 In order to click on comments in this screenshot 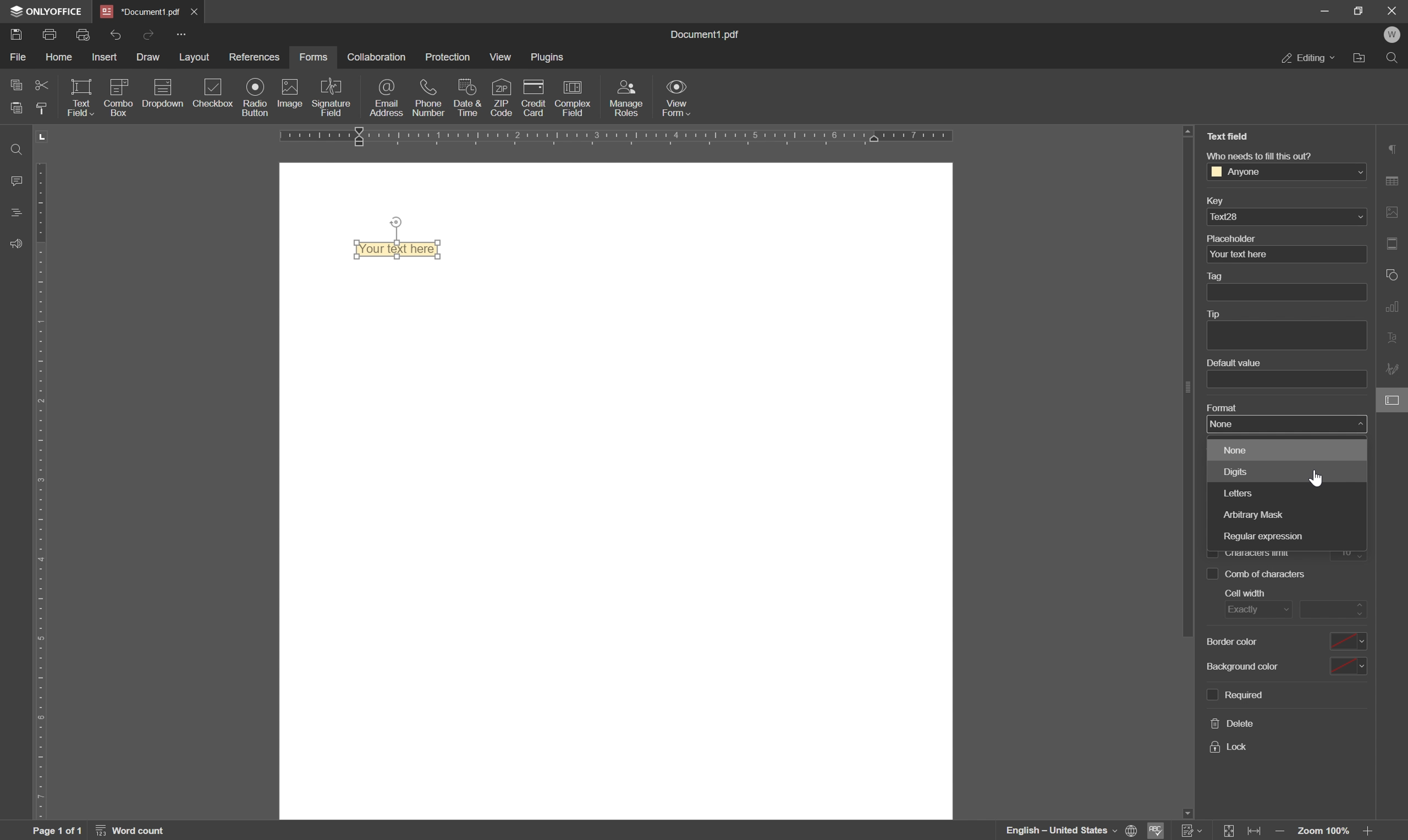, I will do `click(15, 181)`.